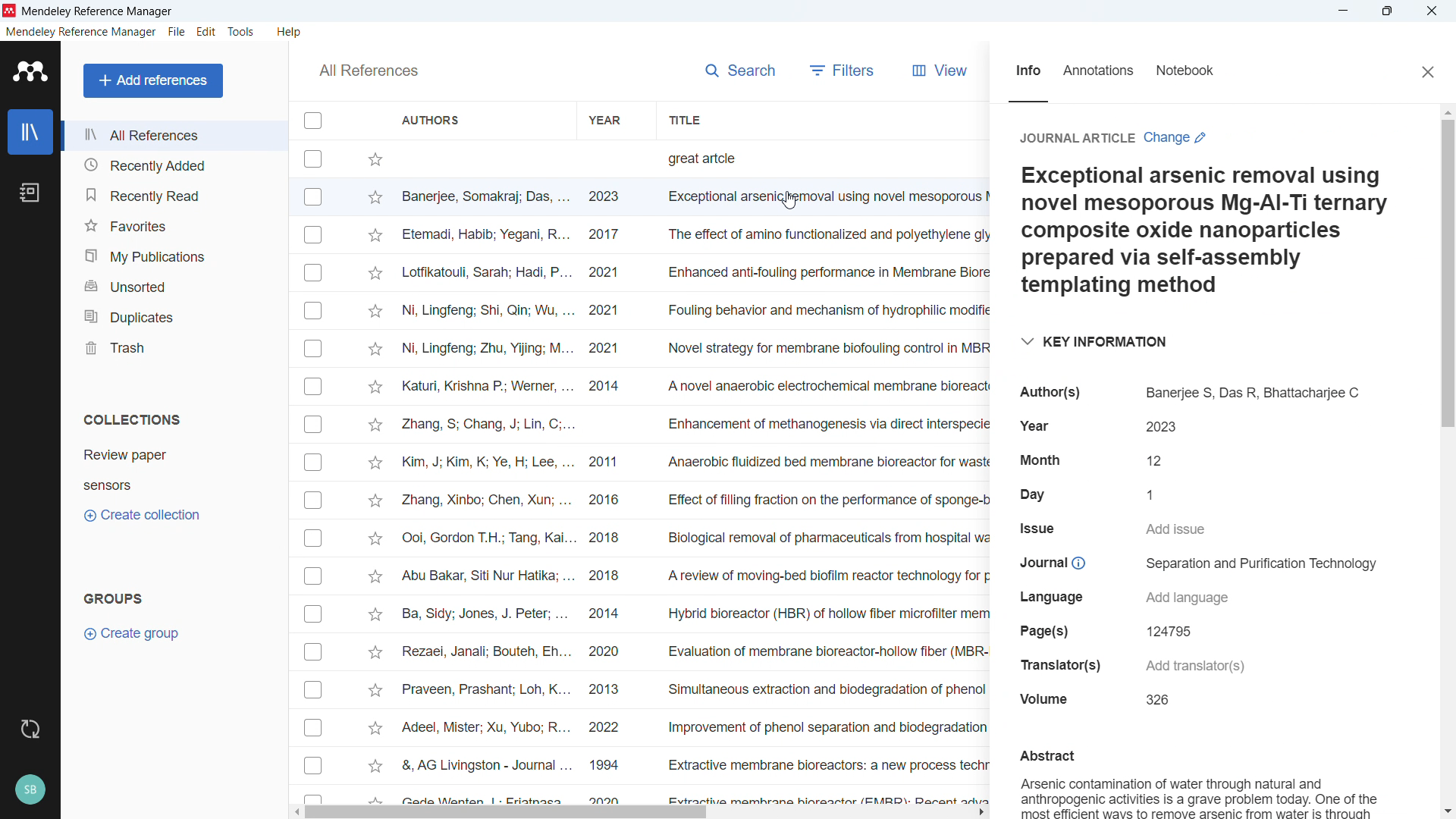  I want to click on Sort by authors , so click(431, 119).